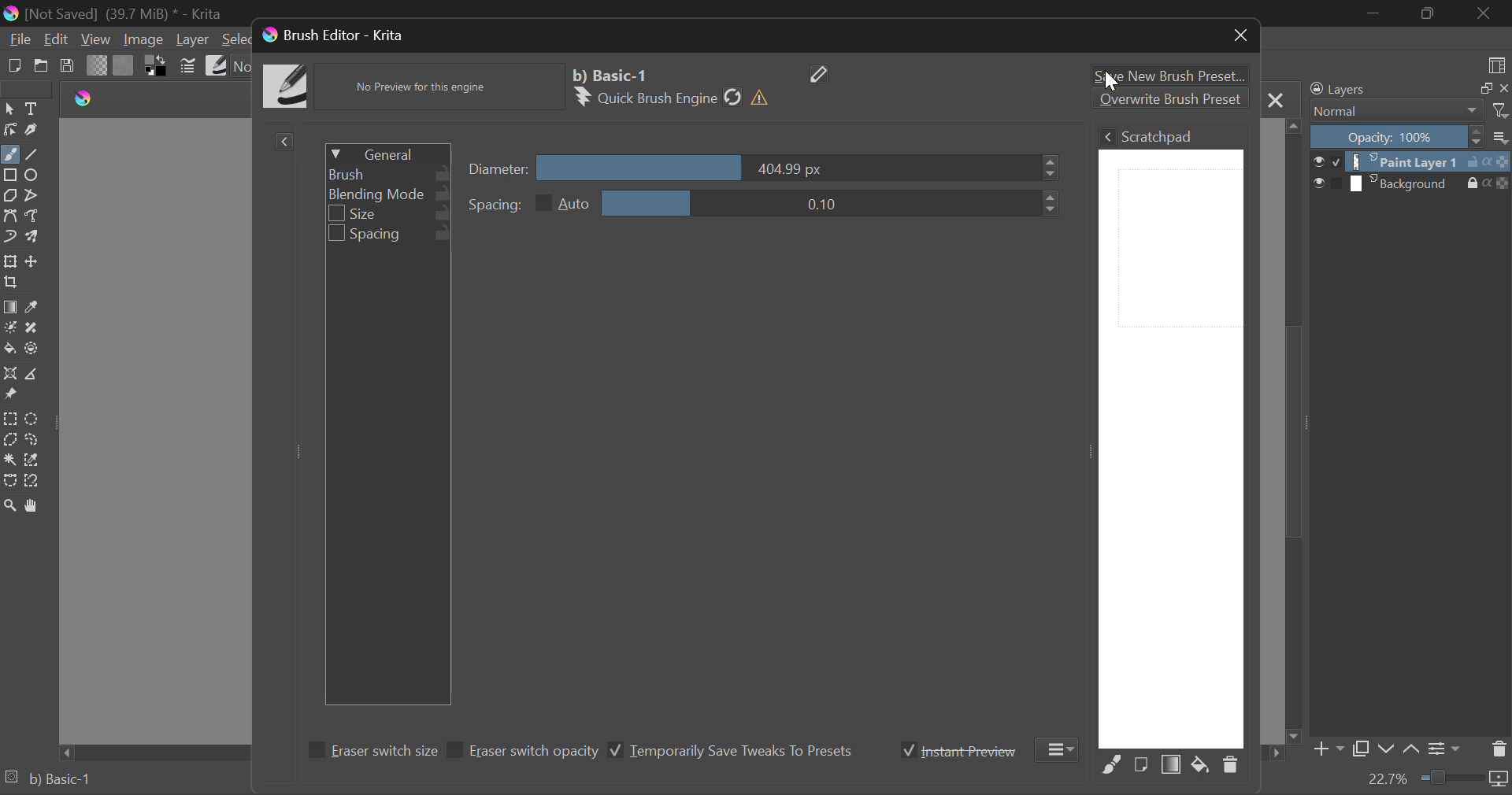 Image resolution: width=1512 pixels, height=795 pixels. I want to click on Bezier Curve, so click(13, 216).